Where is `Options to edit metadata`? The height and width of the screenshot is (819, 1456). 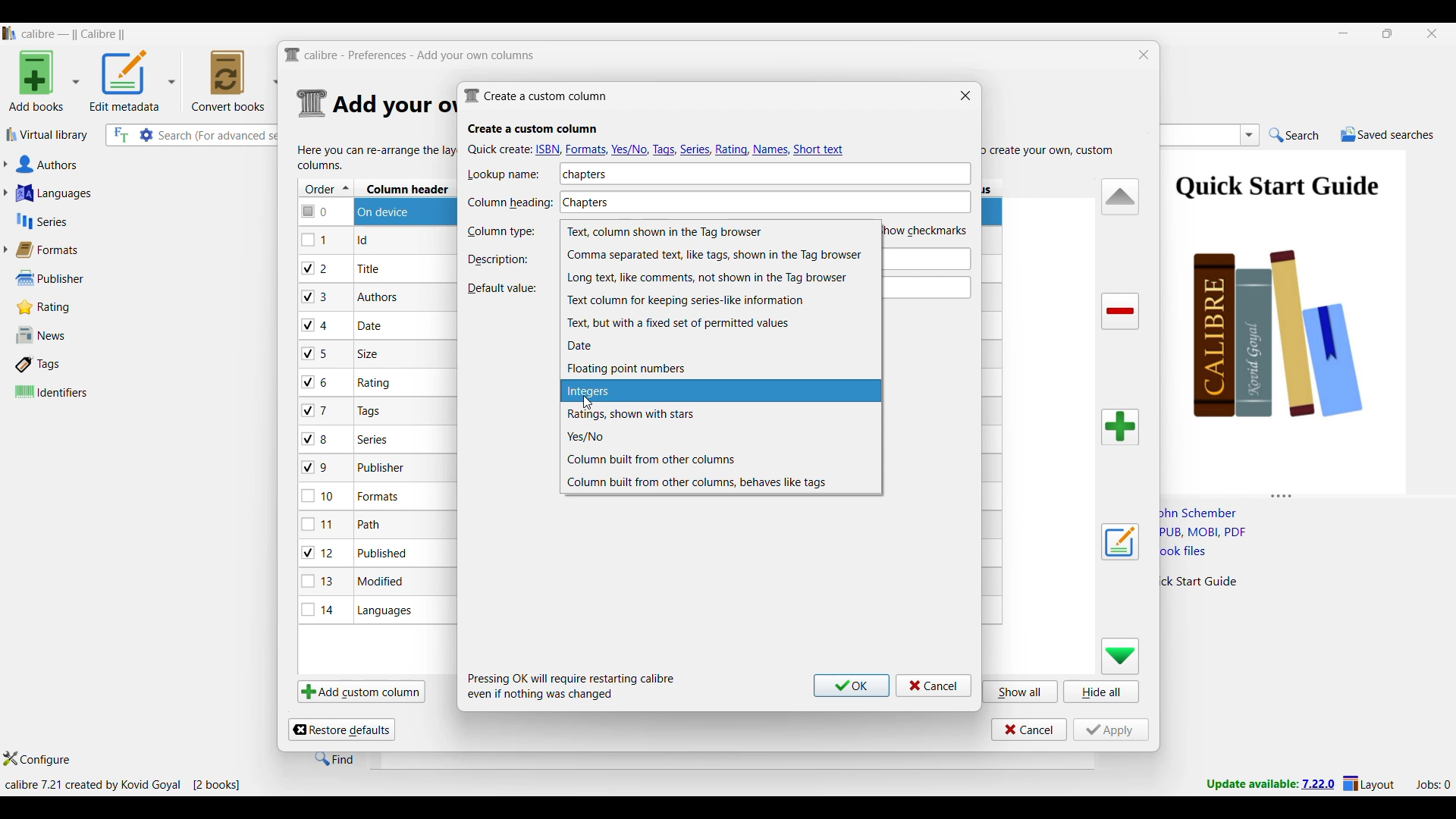 Options to edit metadata is located at coordinates (133, 80).